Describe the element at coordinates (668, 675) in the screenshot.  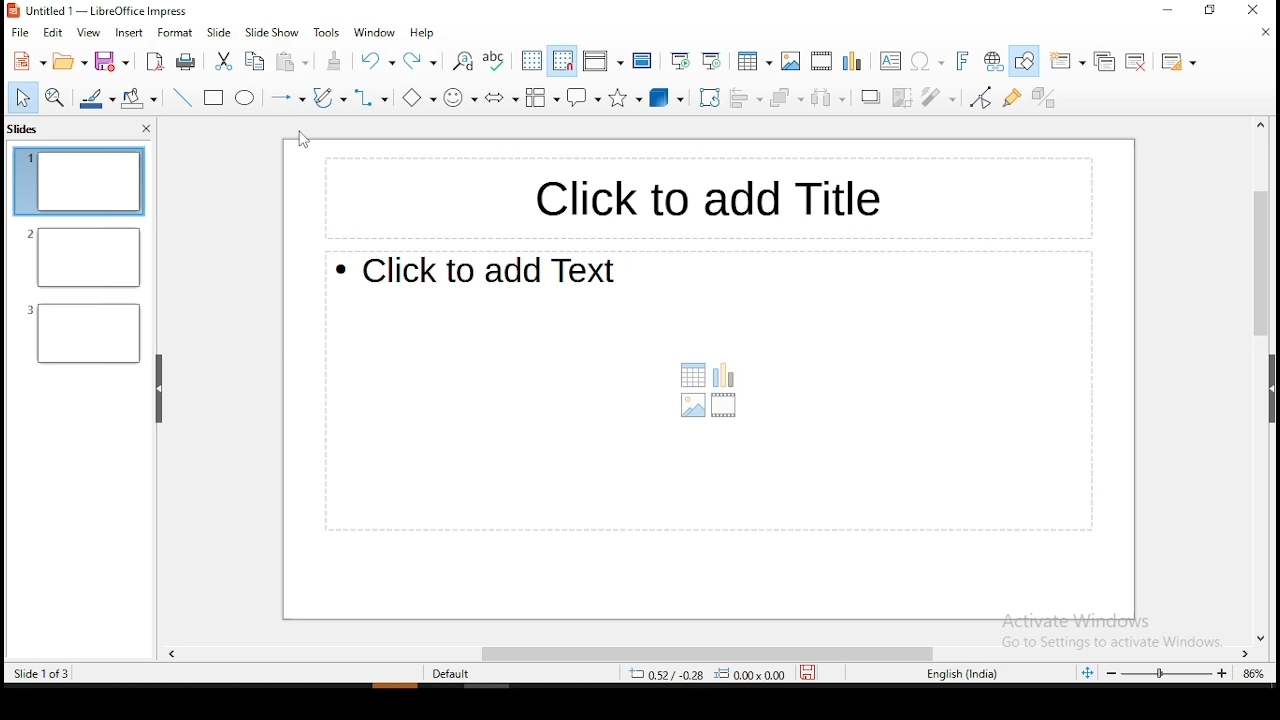
I see `4.00/3.60` at that location.